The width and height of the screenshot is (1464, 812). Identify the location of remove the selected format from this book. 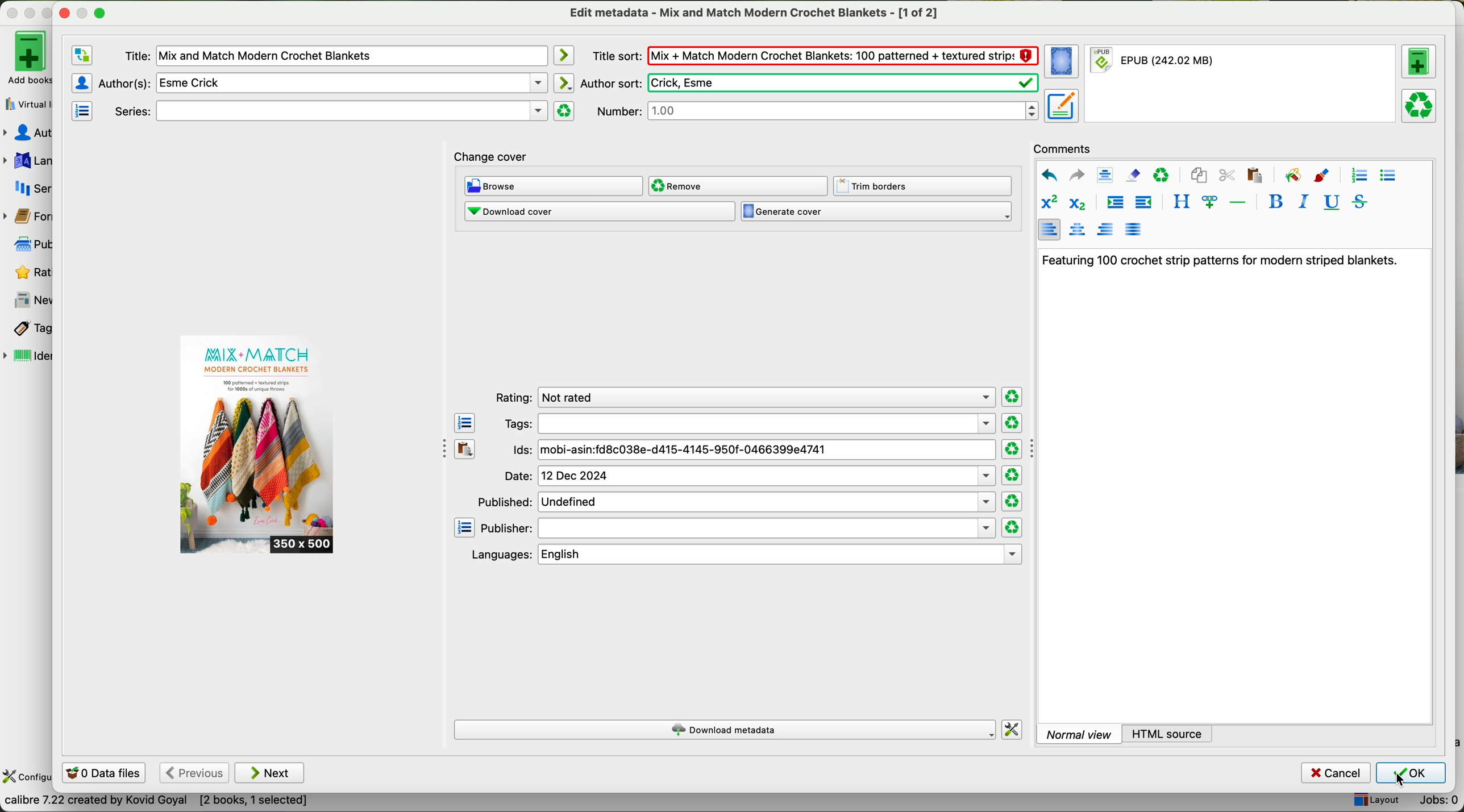
(1421, 105).